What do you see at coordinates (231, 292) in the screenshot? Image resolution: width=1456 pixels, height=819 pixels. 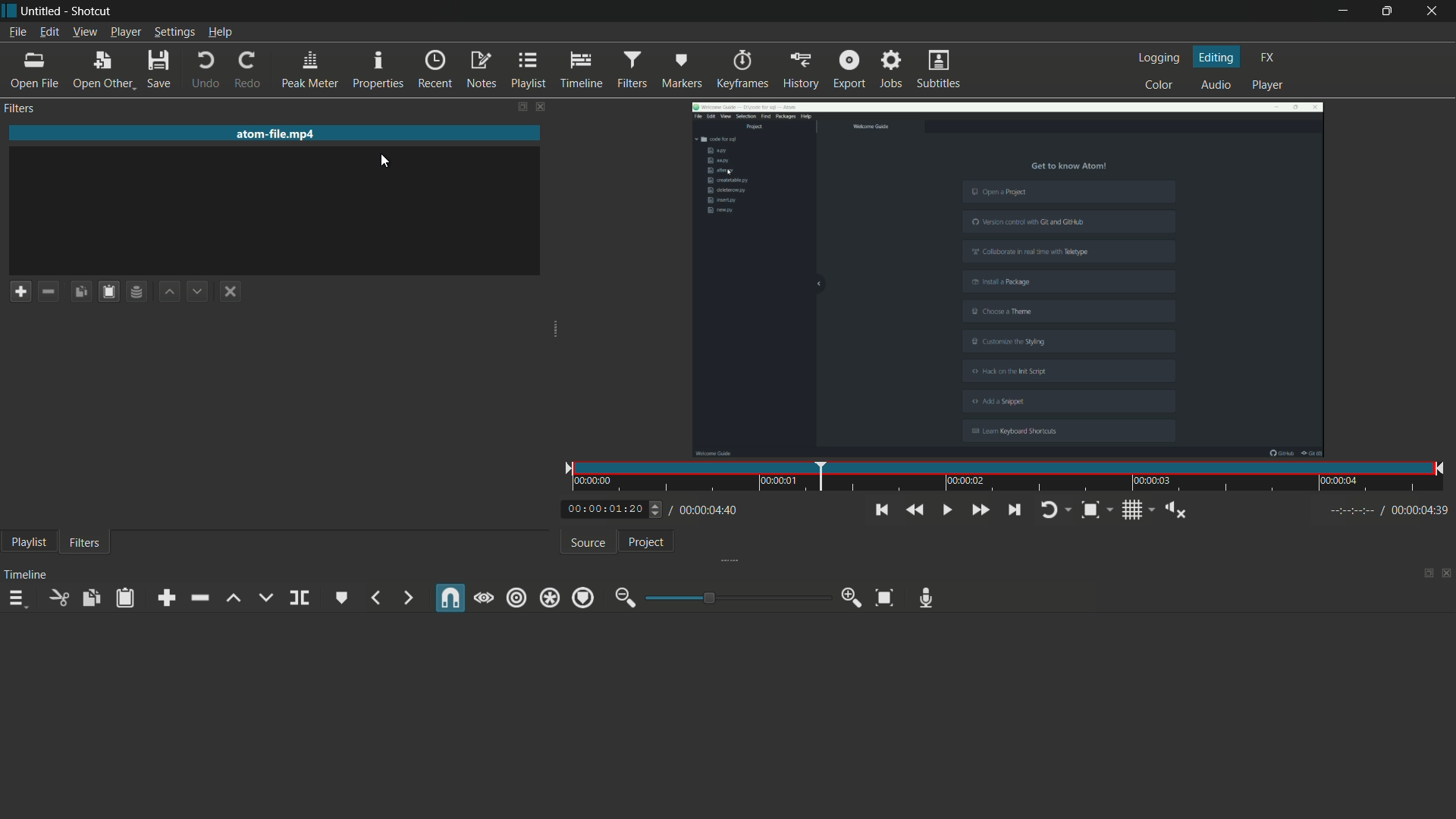 I see `deselect the filter` at bounding box center [231, 292].